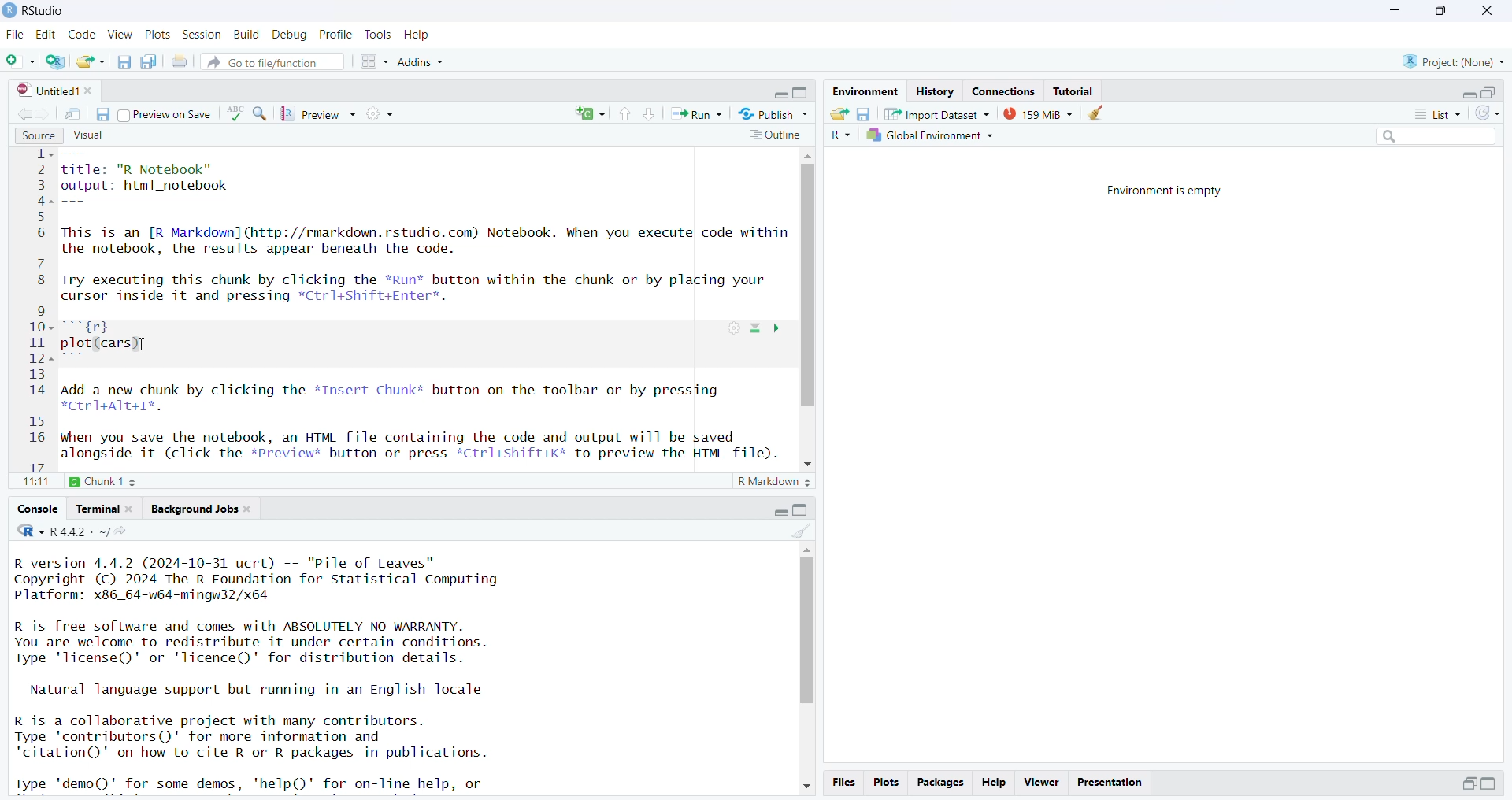 This screenshot has width=1512, height=800. I want to click on workspace panes, so click(375, 61).